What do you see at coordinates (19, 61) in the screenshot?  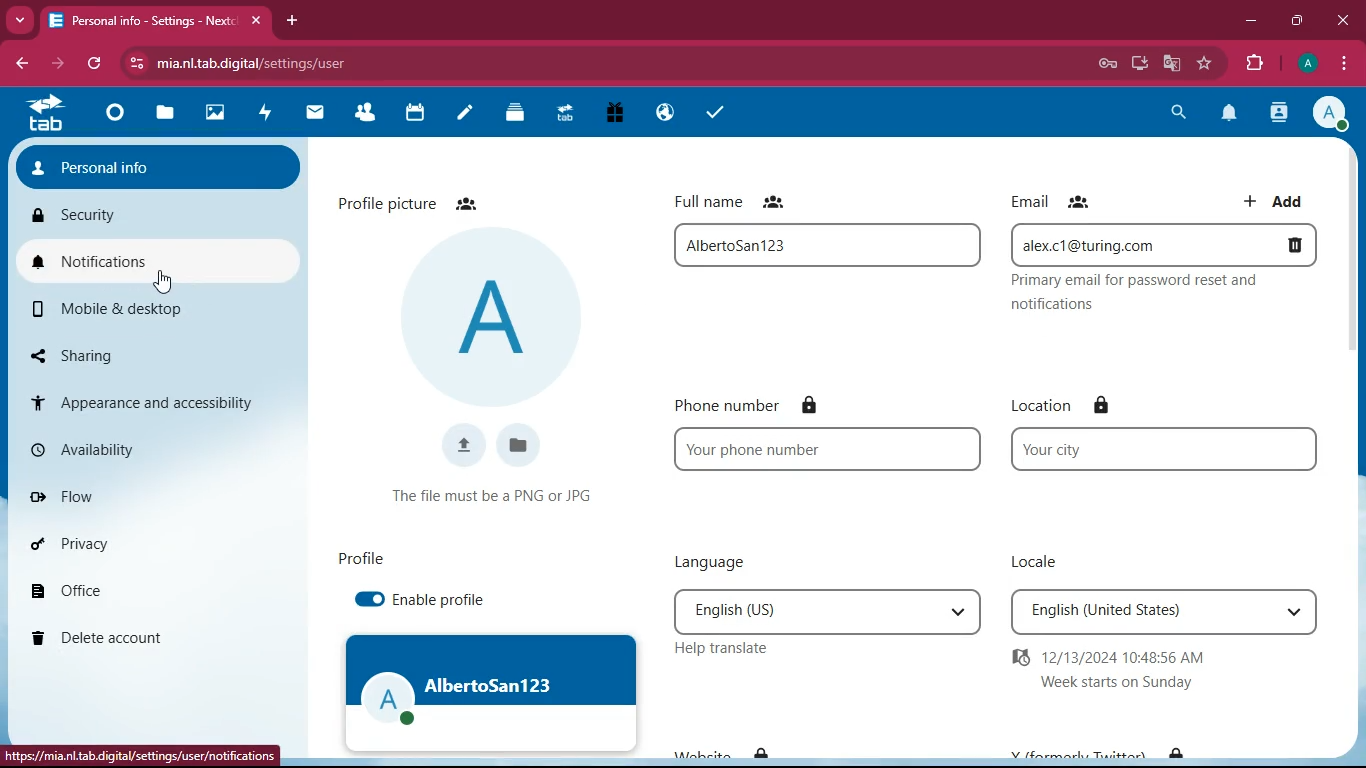 I see `backward` at bounding box center [19, 61].